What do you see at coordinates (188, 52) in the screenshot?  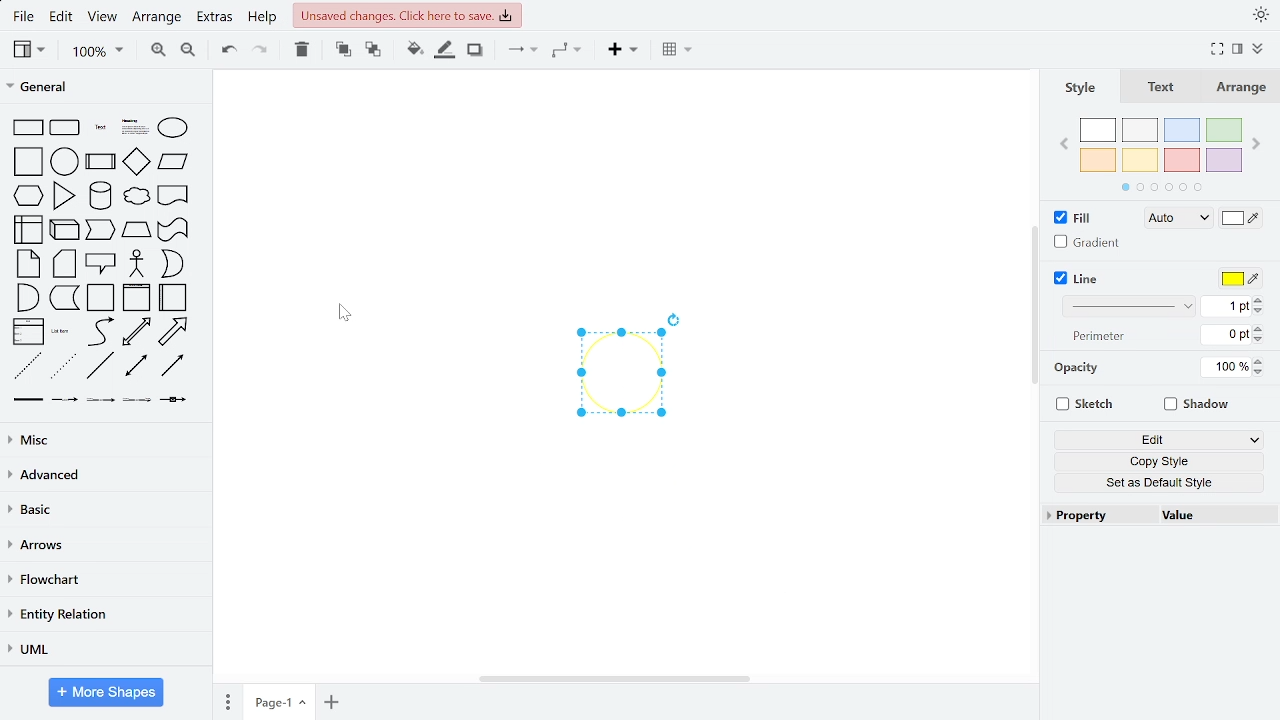 I see `zoom out` at bounding box center [188, 52].